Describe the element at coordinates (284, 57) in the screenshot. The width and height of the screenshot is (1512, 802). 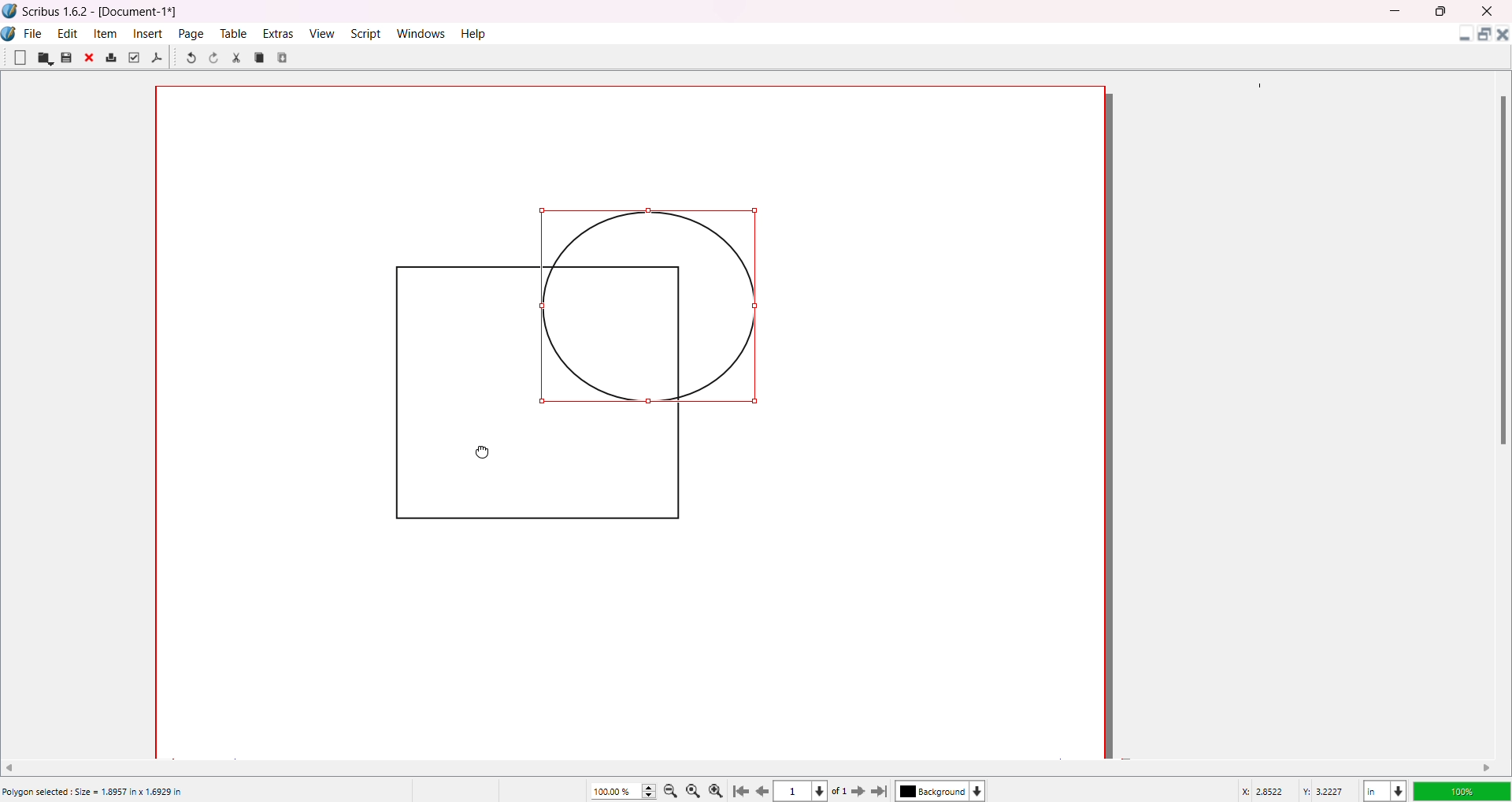
I see `Paste` at that location.